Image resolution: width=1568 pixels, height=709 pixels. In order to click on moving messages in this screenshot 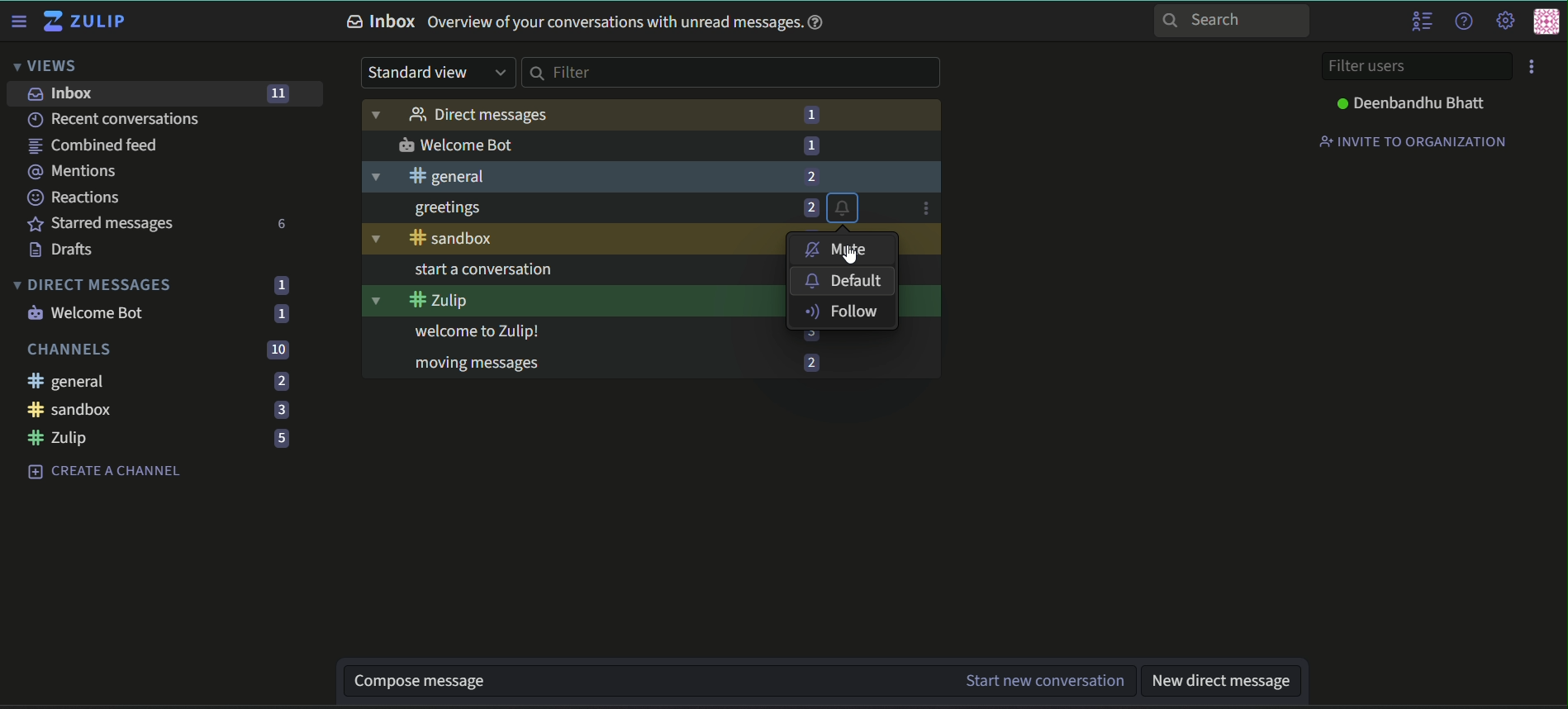, I will do `click(596, 365)`.